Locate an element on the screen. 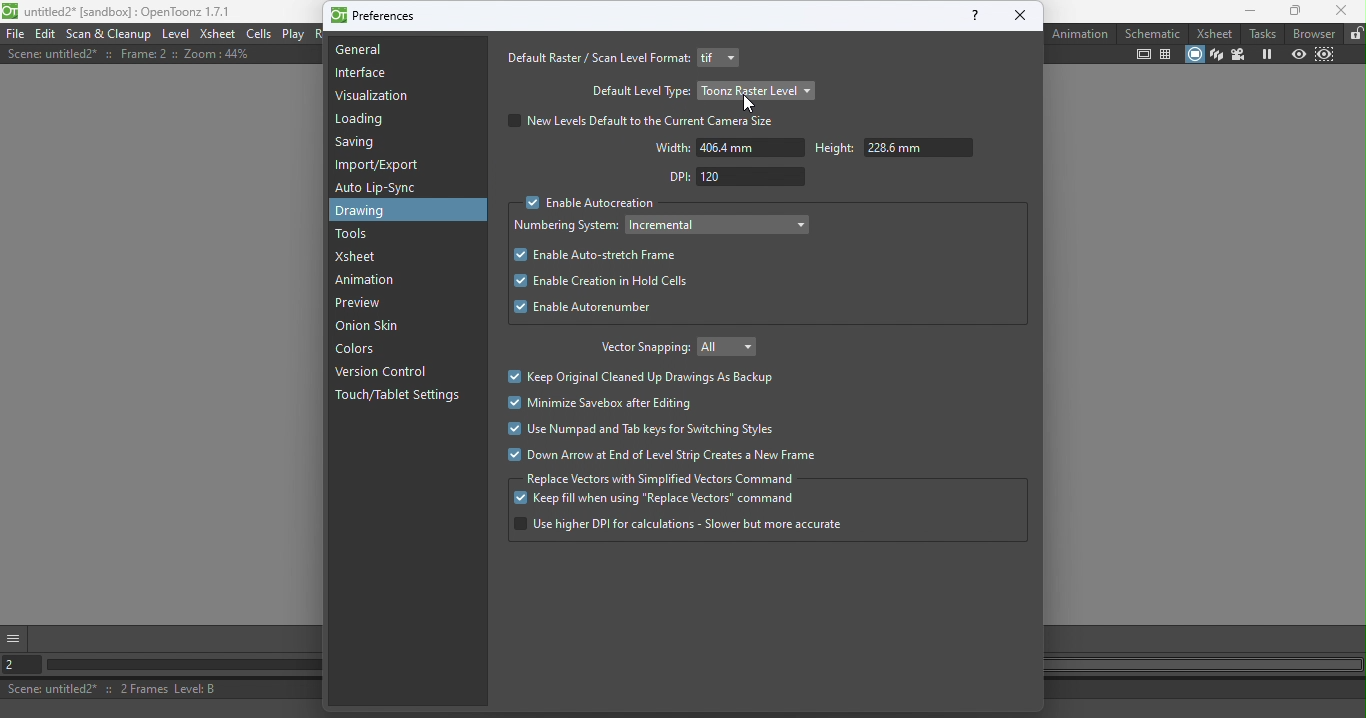 Image resolution: width=1366 pixels, height=718 pixels. Maximize is located at coordinates (1292, 12).